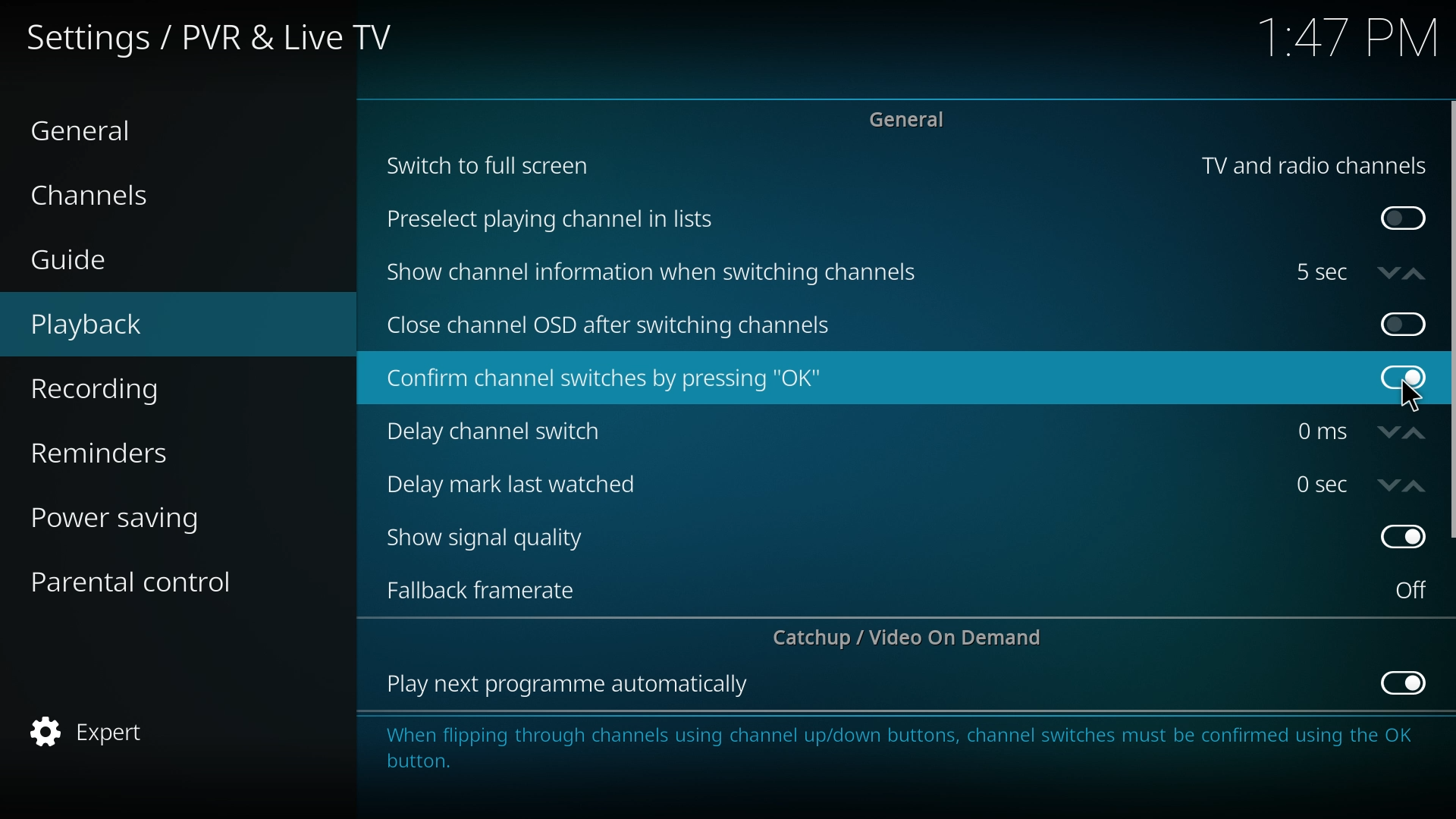  I want to click on expert, so click(136, 733).